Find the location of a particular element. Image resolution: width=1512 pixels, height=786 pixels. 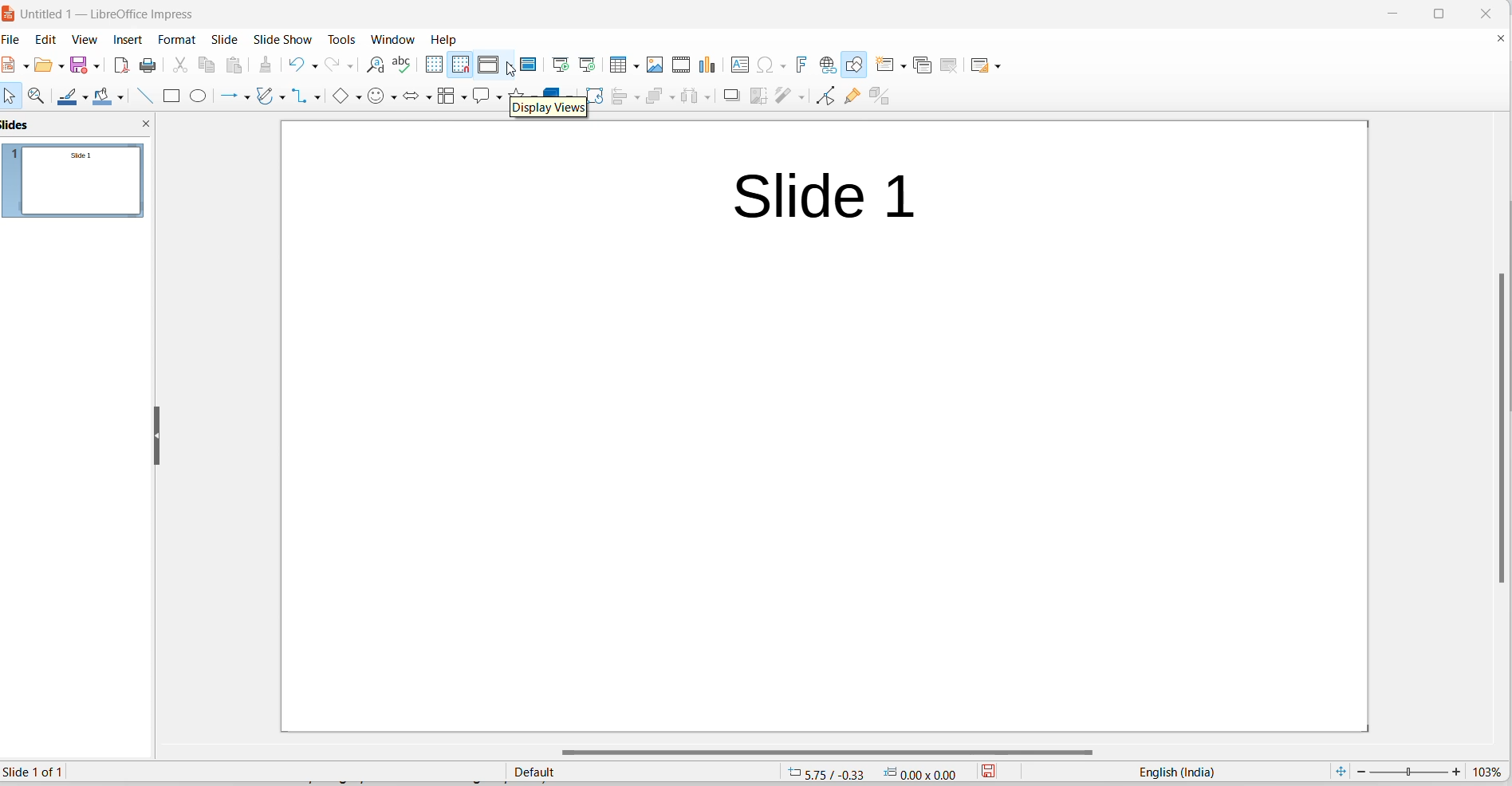

slide layout options is located at coordinates (1000, 65).